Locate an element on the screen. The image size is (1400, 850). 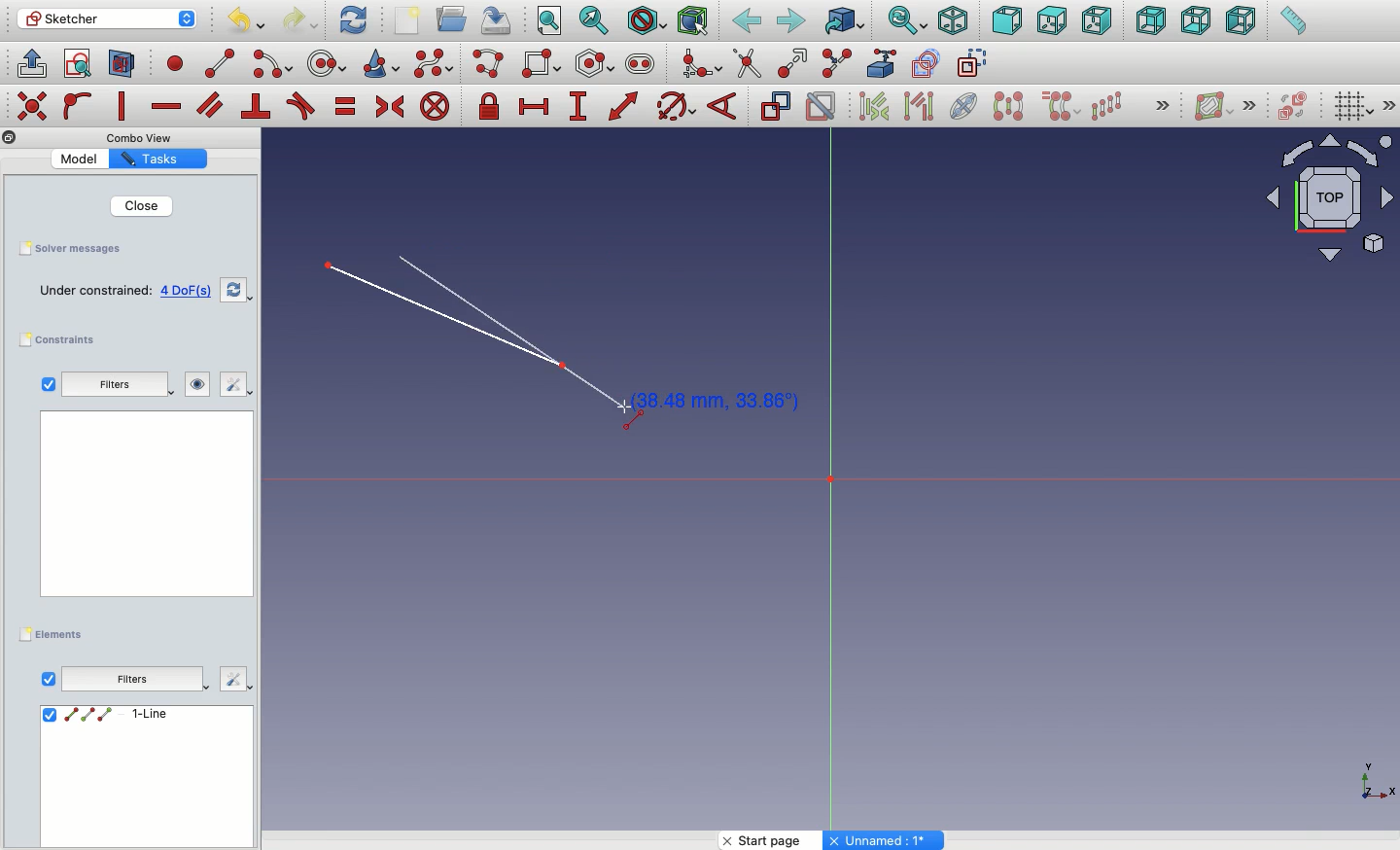
Go to linked object is located at coordinates (844, 20).